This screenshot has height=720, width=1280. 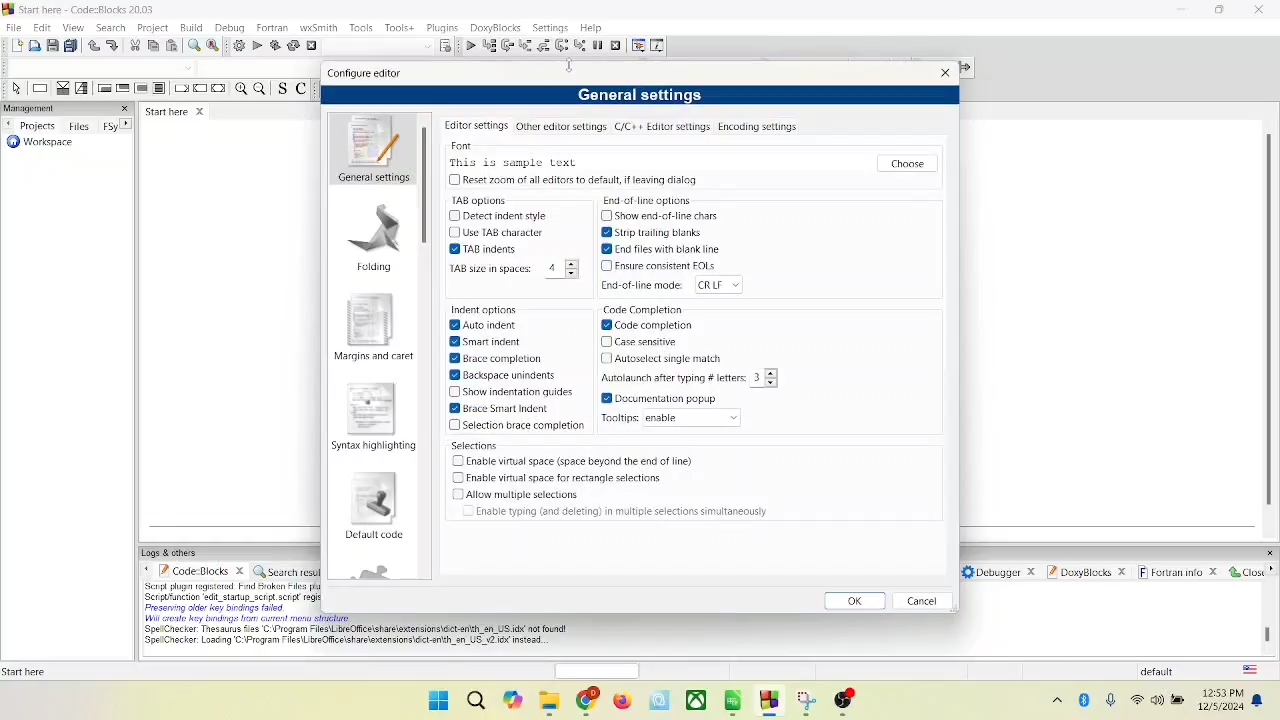 I want to click on zoom out, so click(x=258, y=87).